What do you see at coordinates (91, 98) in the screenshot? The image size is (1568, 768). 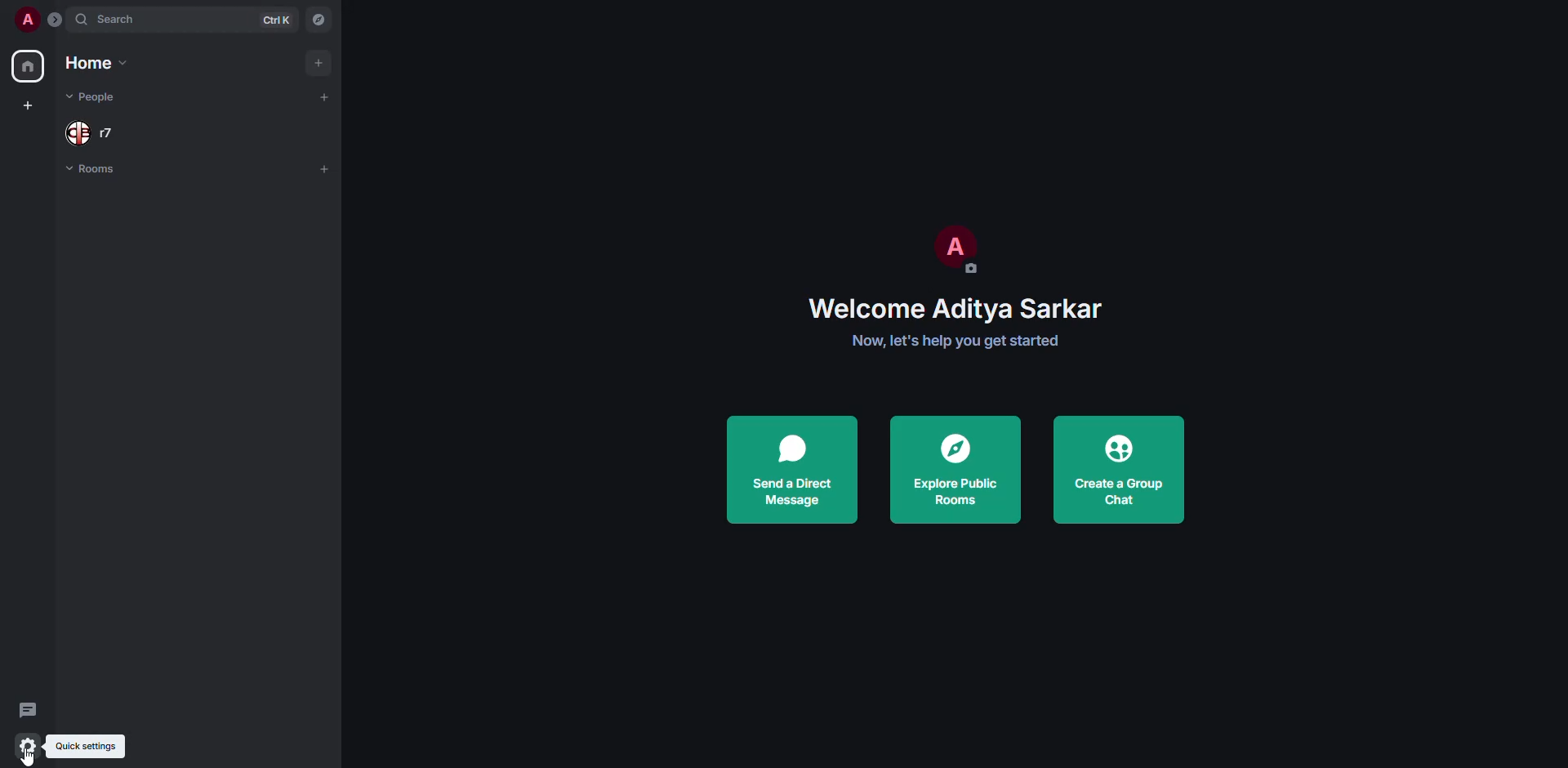 I see `people` at bounding box center [91, 98].